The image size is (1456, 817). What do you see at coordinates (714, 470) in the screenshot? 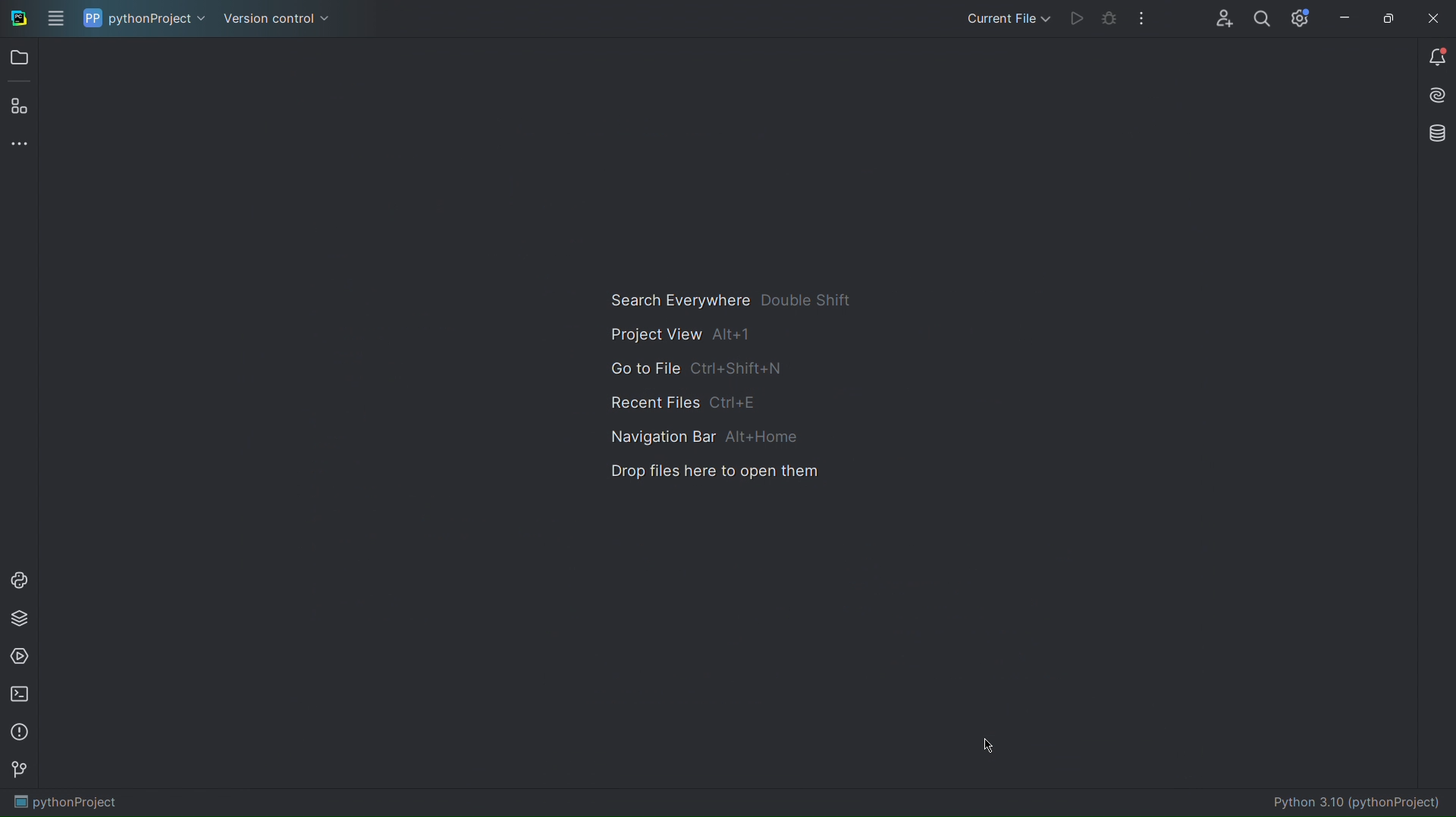
I see `Drop files here to open them` at bounding box center [714, 470].